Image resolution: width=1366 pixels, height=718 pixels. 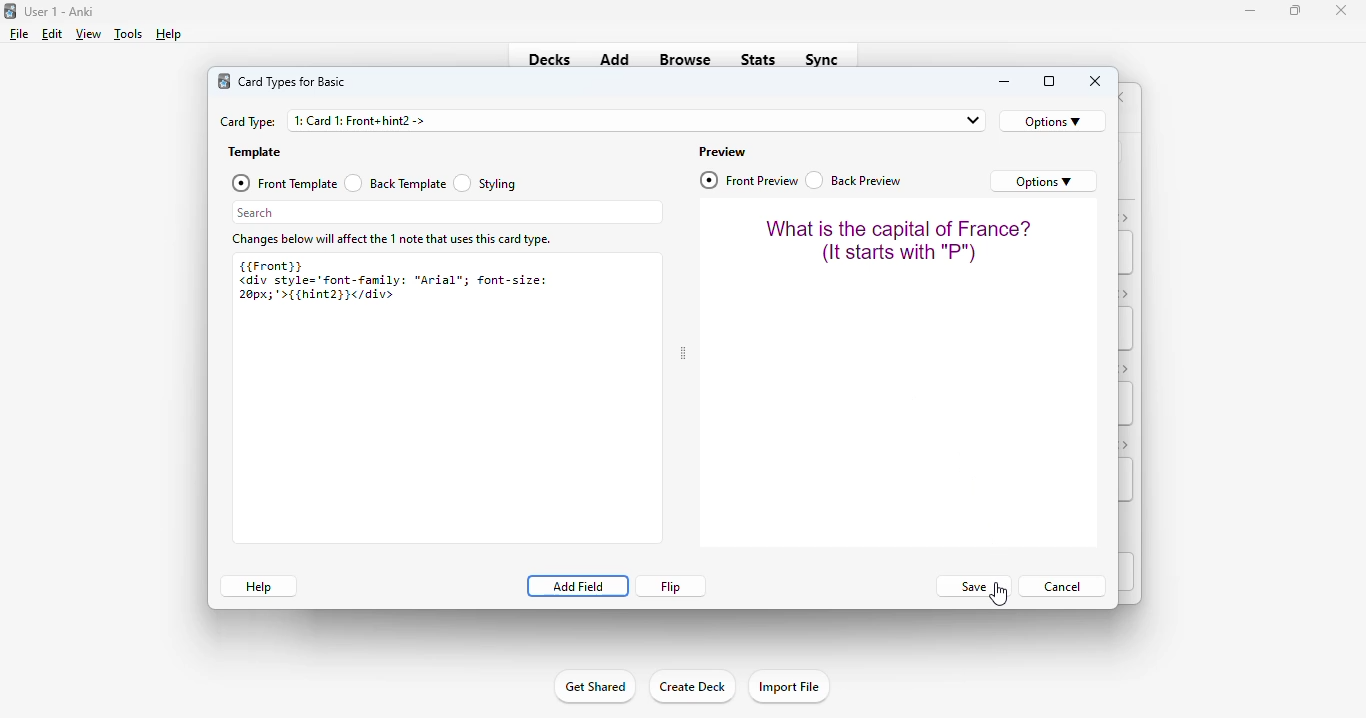 I want to click on minimize, so click(x=1251, y=10).